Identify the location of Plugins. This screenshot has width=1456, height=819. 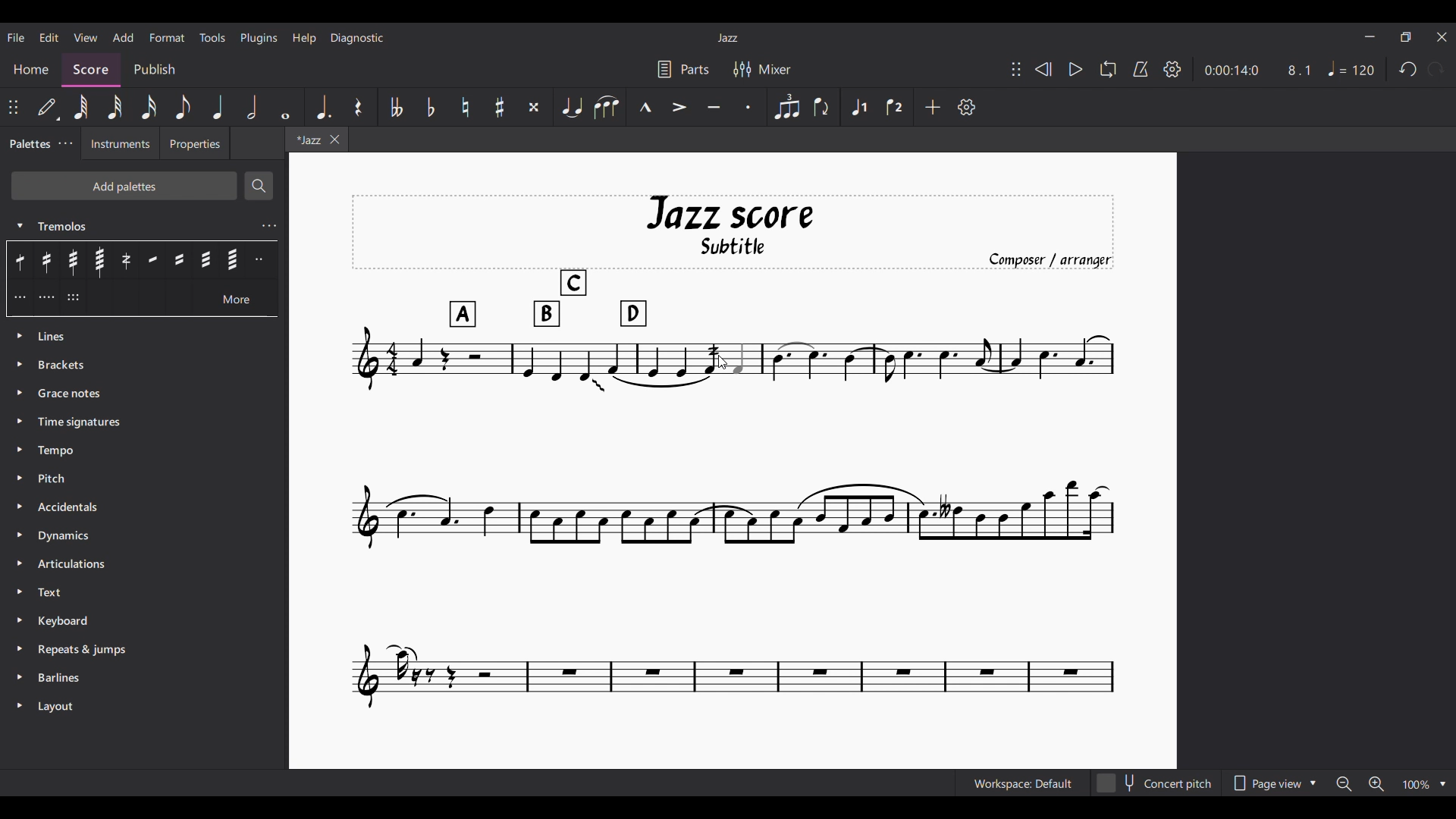
(259, 39).